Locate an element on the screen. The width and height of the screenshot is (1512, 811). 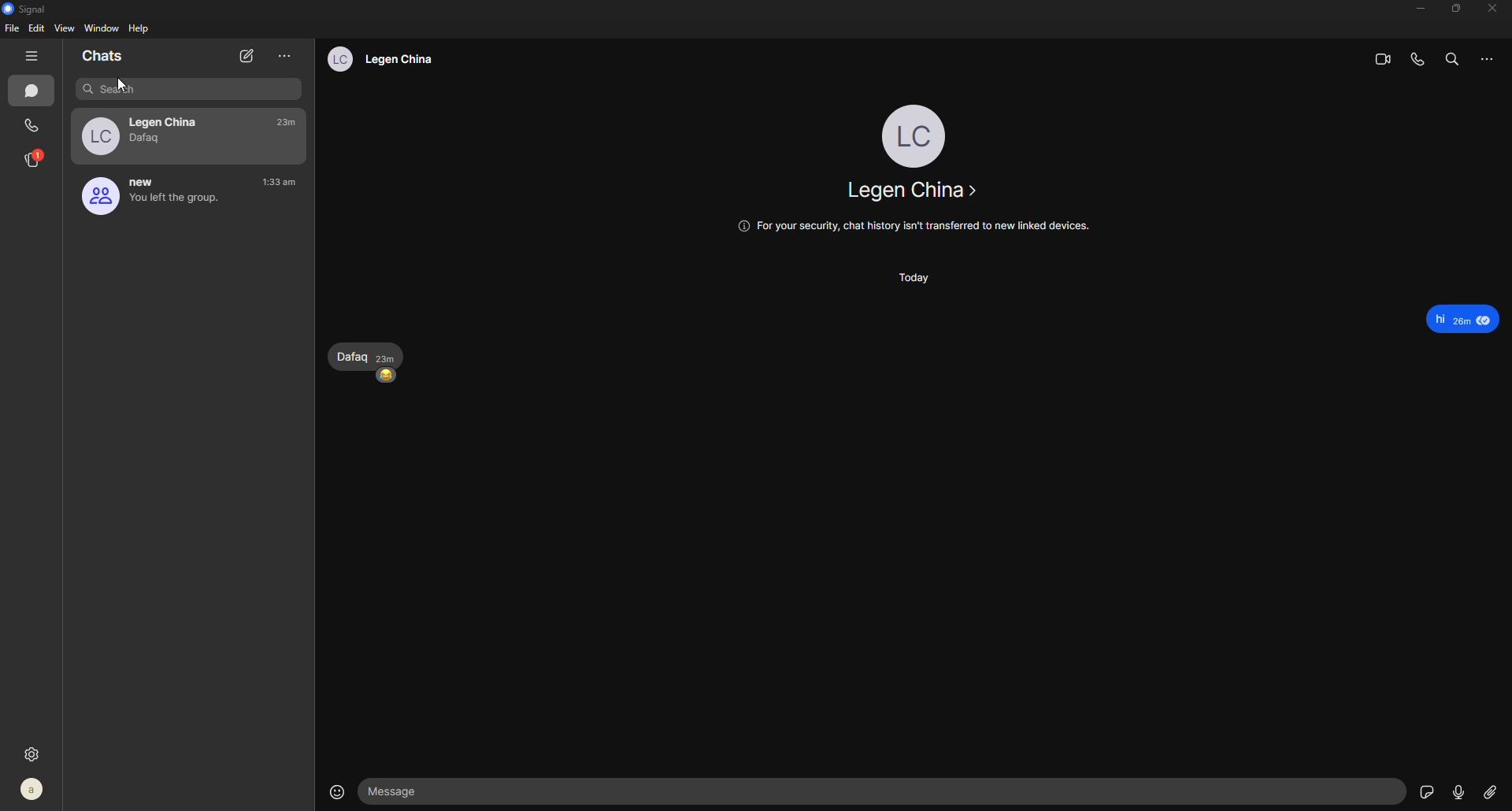
chats is located at coordinates (103, 56).